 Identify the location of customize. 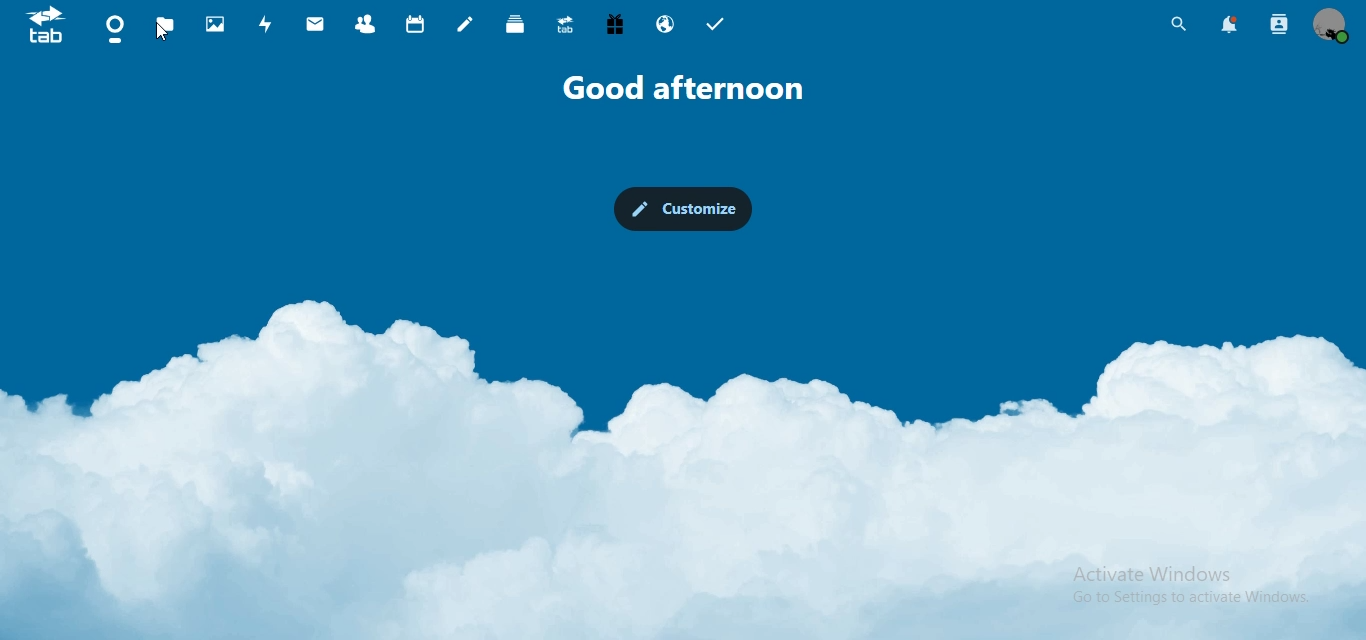
(685, 206).